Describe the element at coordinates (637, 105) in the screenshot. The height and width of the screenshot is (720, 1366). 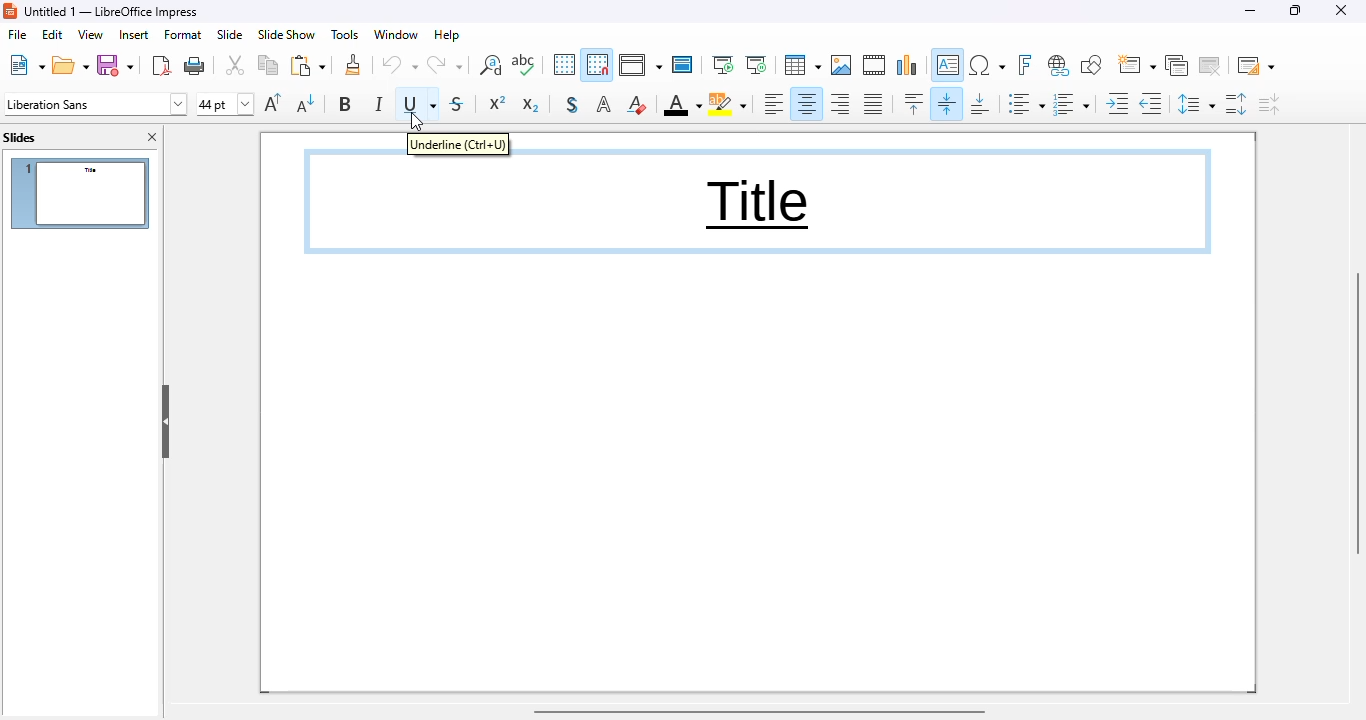
I see `clear direct formatting` at that location.